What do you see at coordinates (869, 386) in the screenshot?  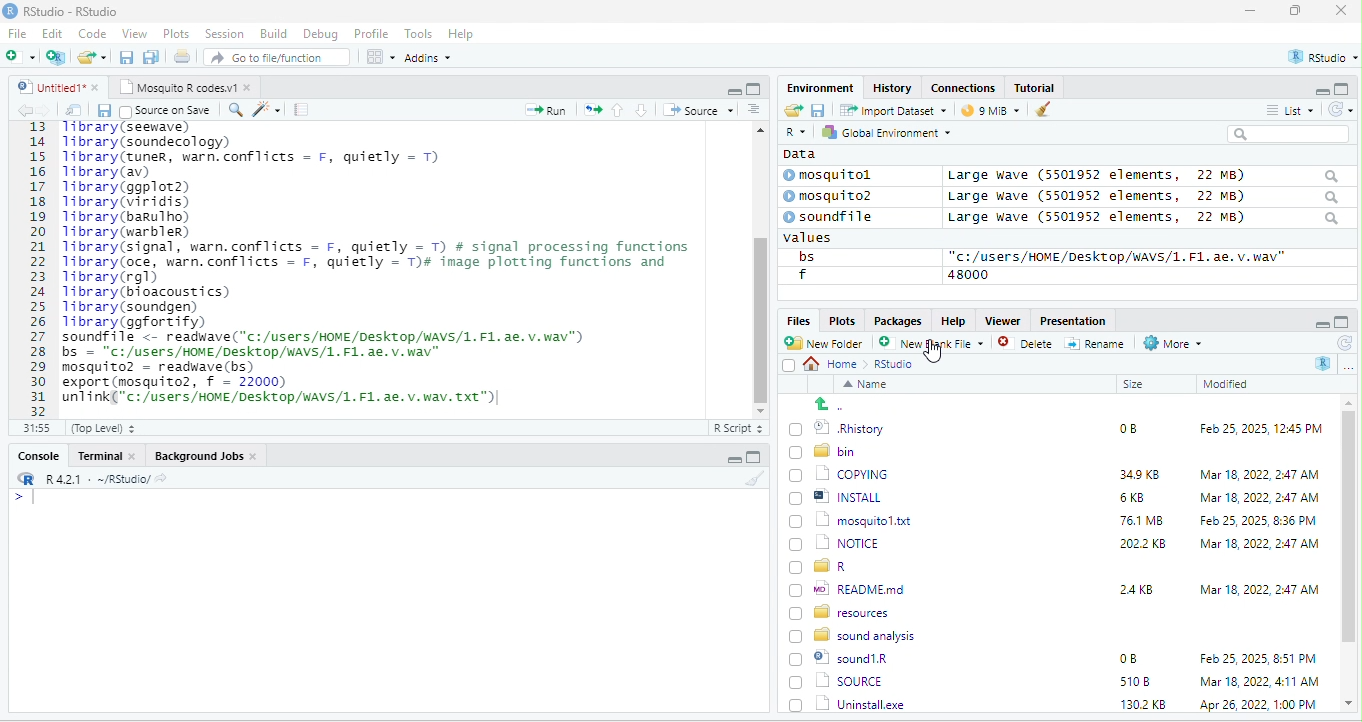 I see ` Name` at bounding box center [869, 386].